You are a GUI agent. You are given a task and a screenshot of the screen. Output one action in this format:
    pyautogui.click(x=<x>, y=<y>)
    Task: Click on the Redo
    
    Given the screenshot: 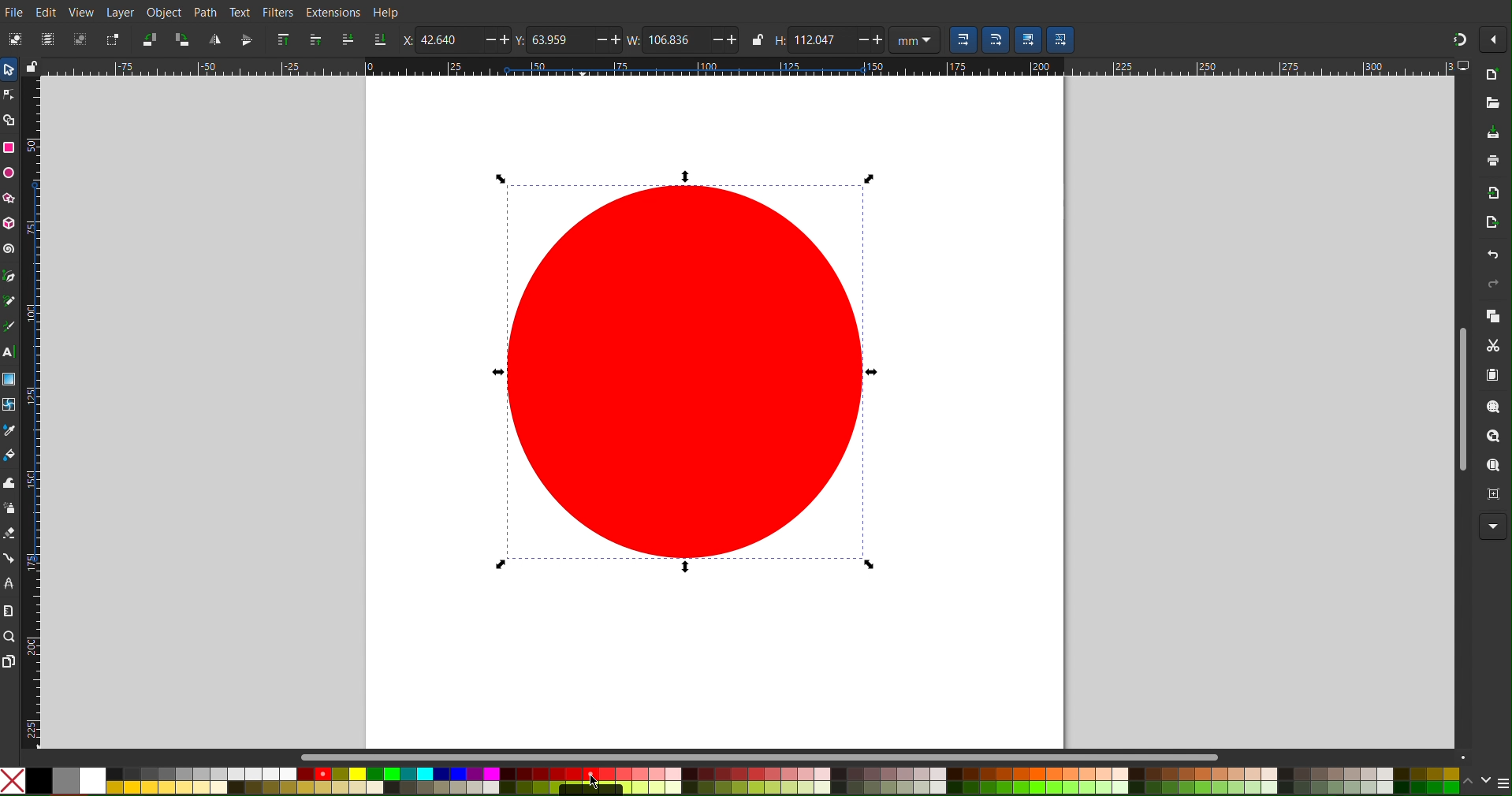 What is the action you would take?
    pyautogui.click(x=1493, y=284)
    